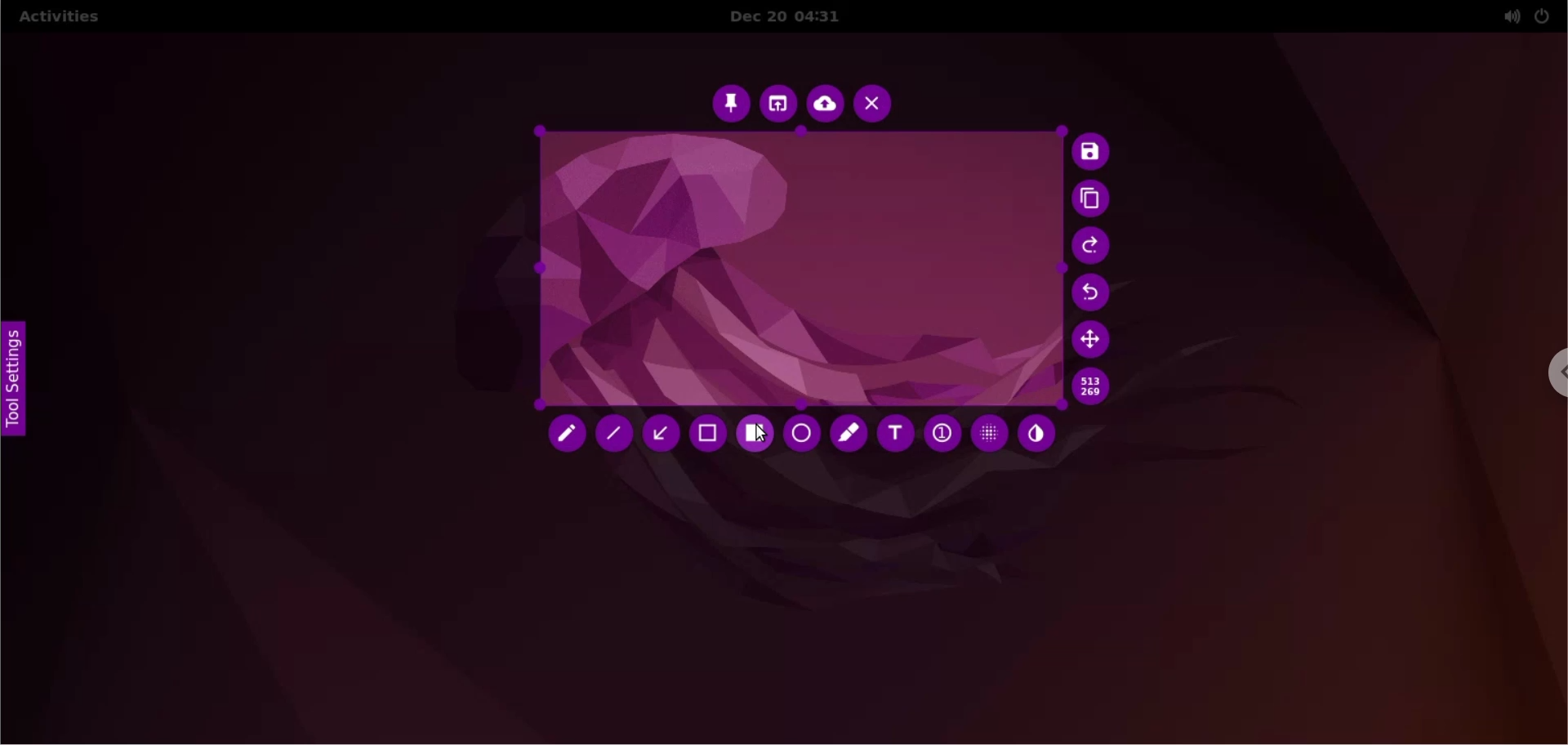  Describe the element at coordinates (1506, 16) in the screenshot. I see `sound setting options` at that location.